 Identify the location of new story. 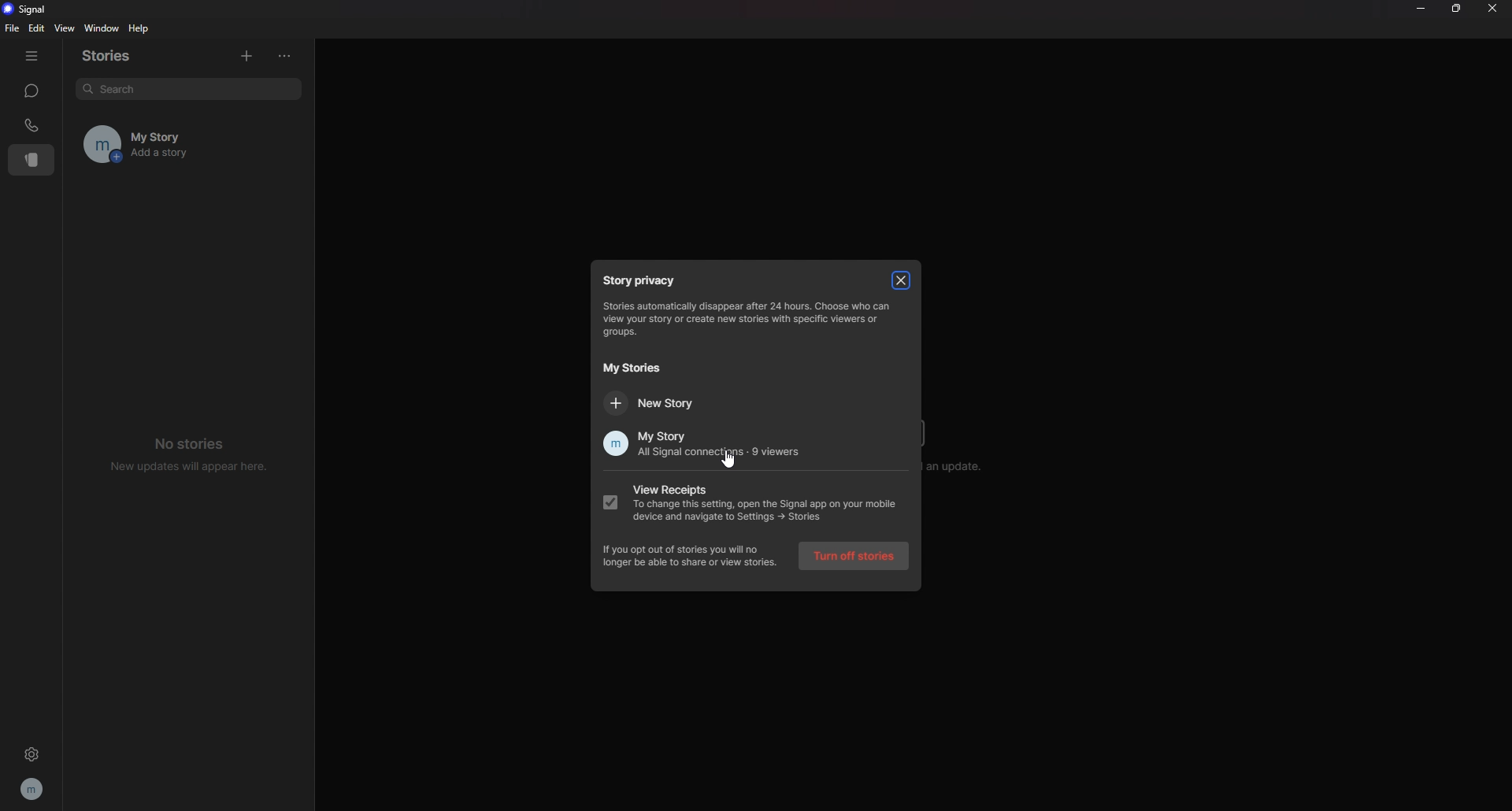
(670, 402).